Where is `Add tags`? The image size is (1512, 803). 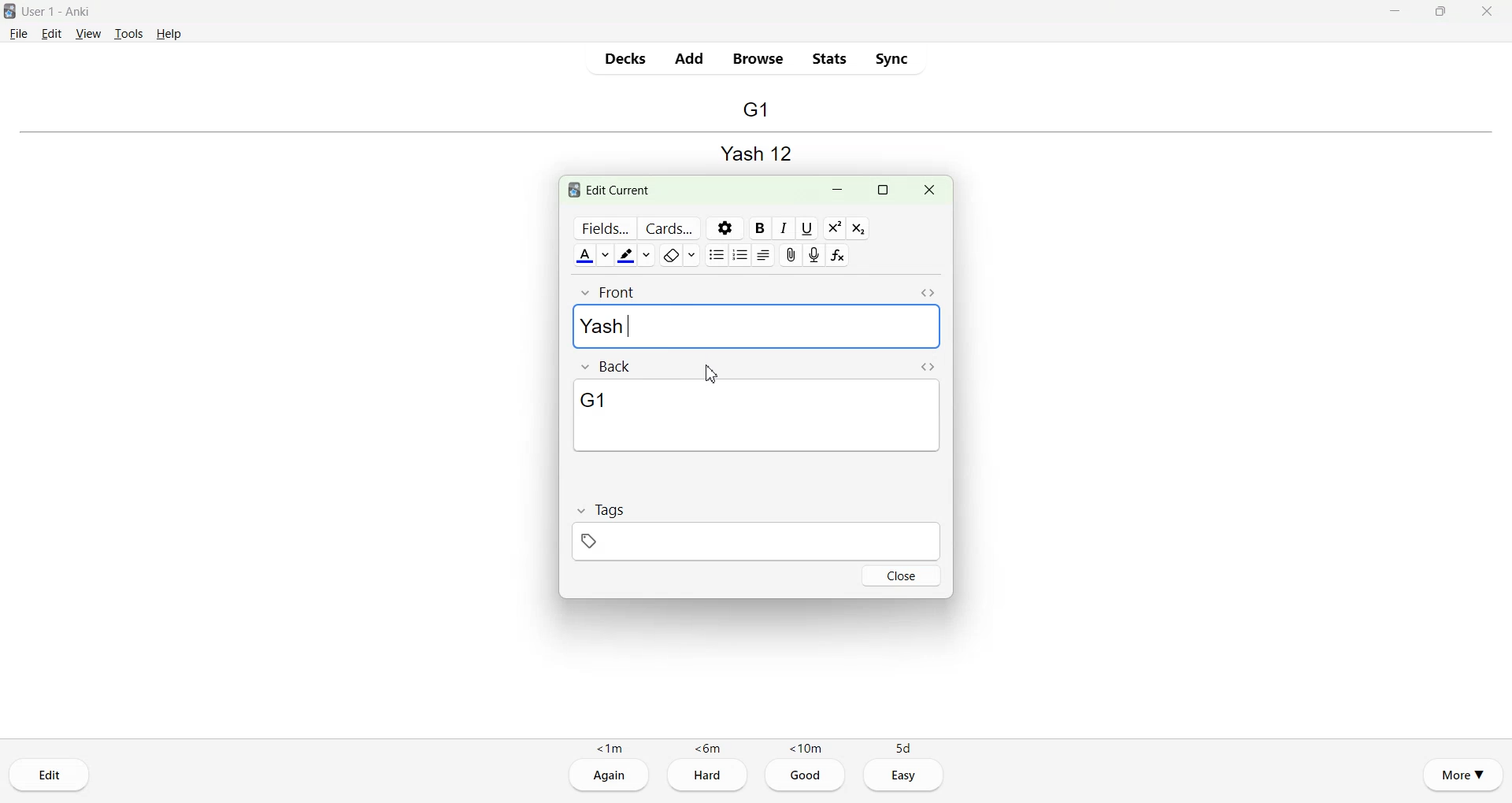
Add tags is located at coordinates (756, 541).